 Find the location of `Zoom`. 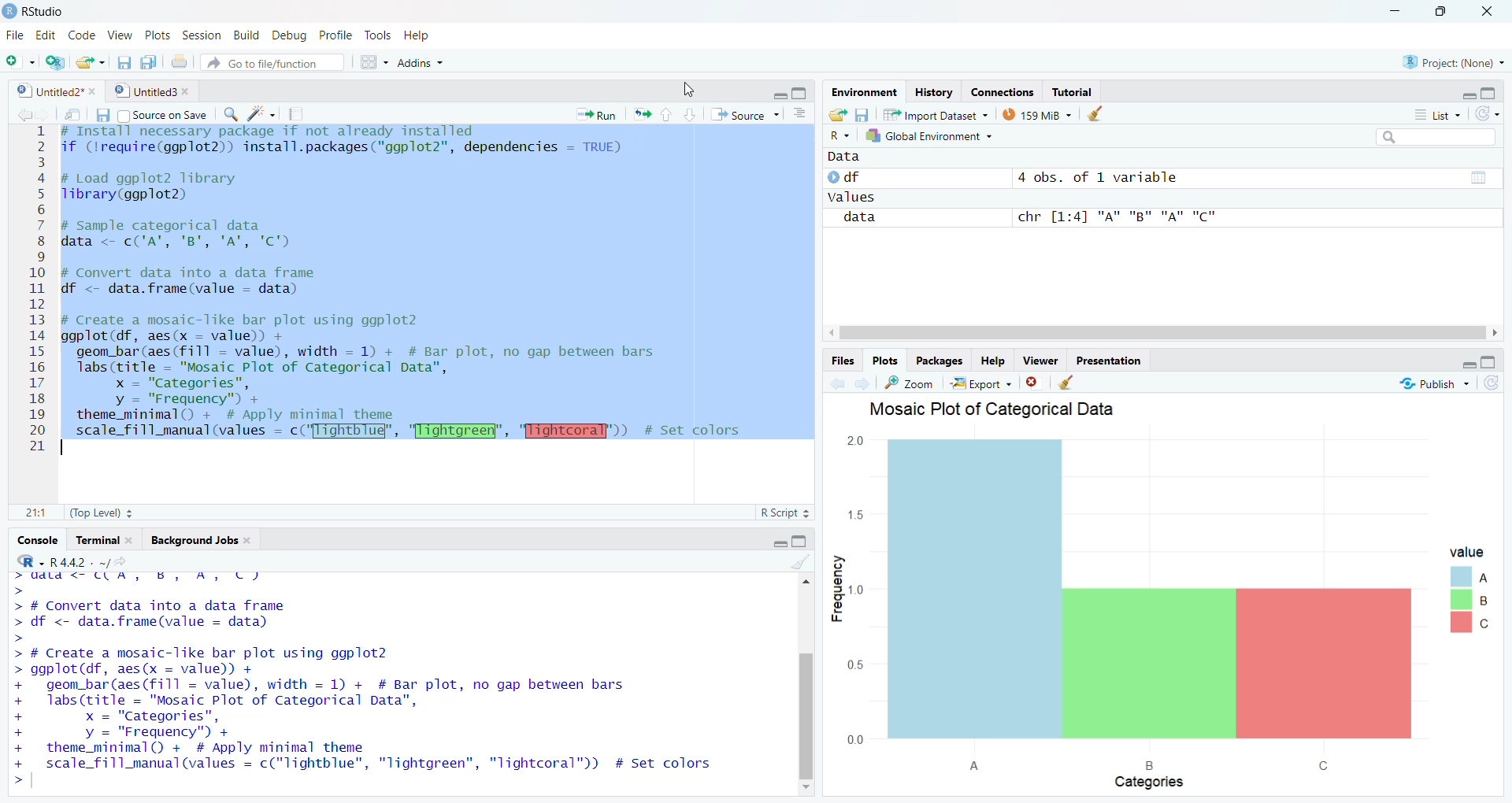

Zoom is located at coordinates (911, 383).